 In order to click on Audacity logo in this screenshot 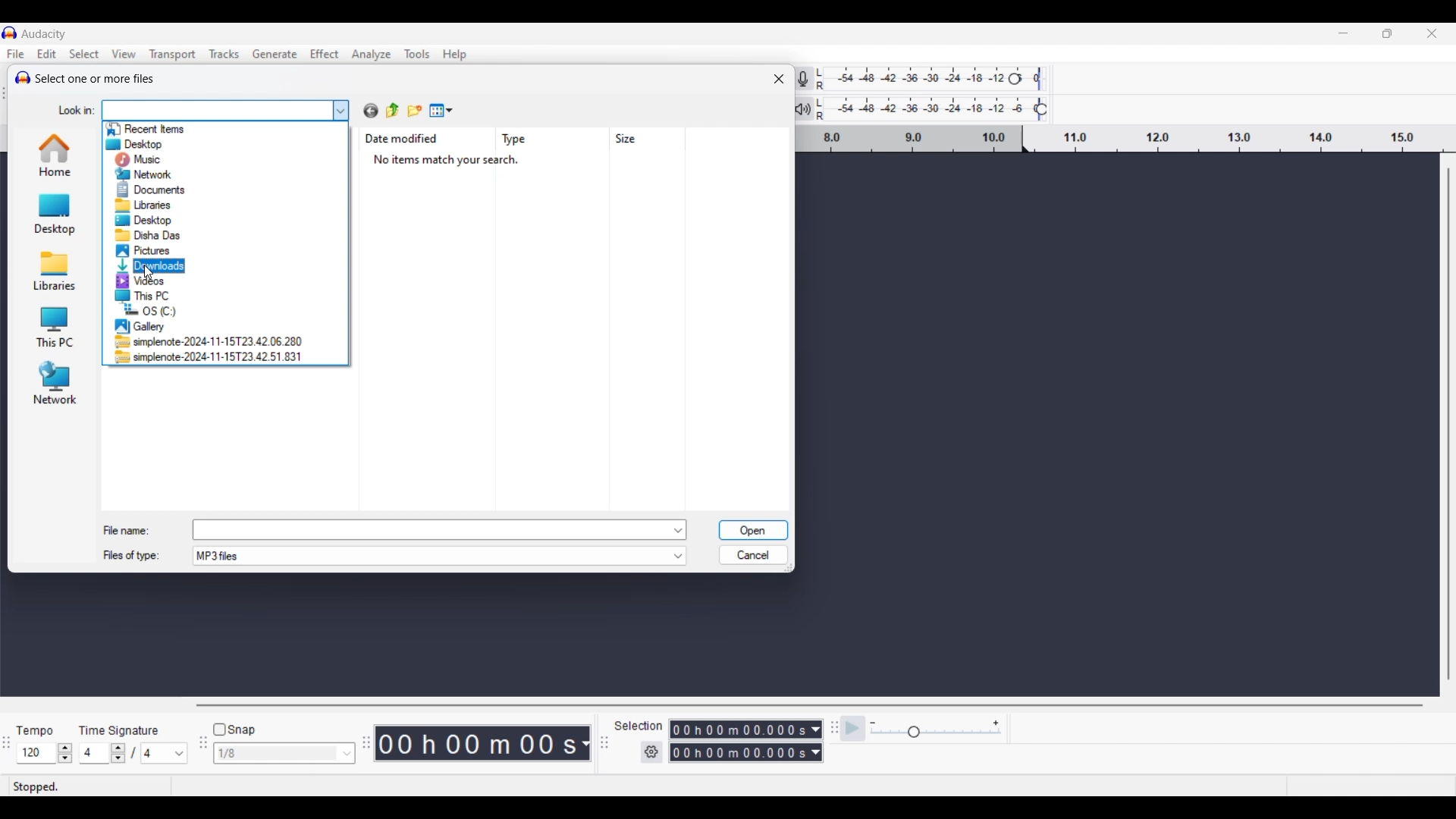, I will do `click(20, 76)`.